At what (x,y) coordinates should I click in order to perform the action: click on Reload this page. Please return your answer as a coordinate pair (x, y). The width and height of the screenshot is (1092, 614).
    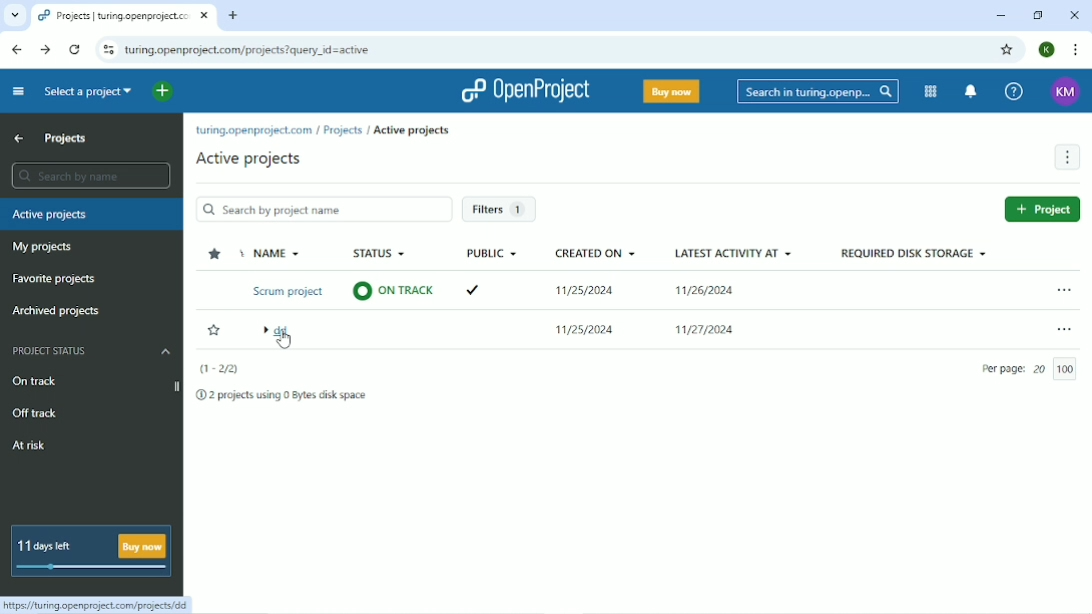
    Looking at the image, I should click on (76, 49).